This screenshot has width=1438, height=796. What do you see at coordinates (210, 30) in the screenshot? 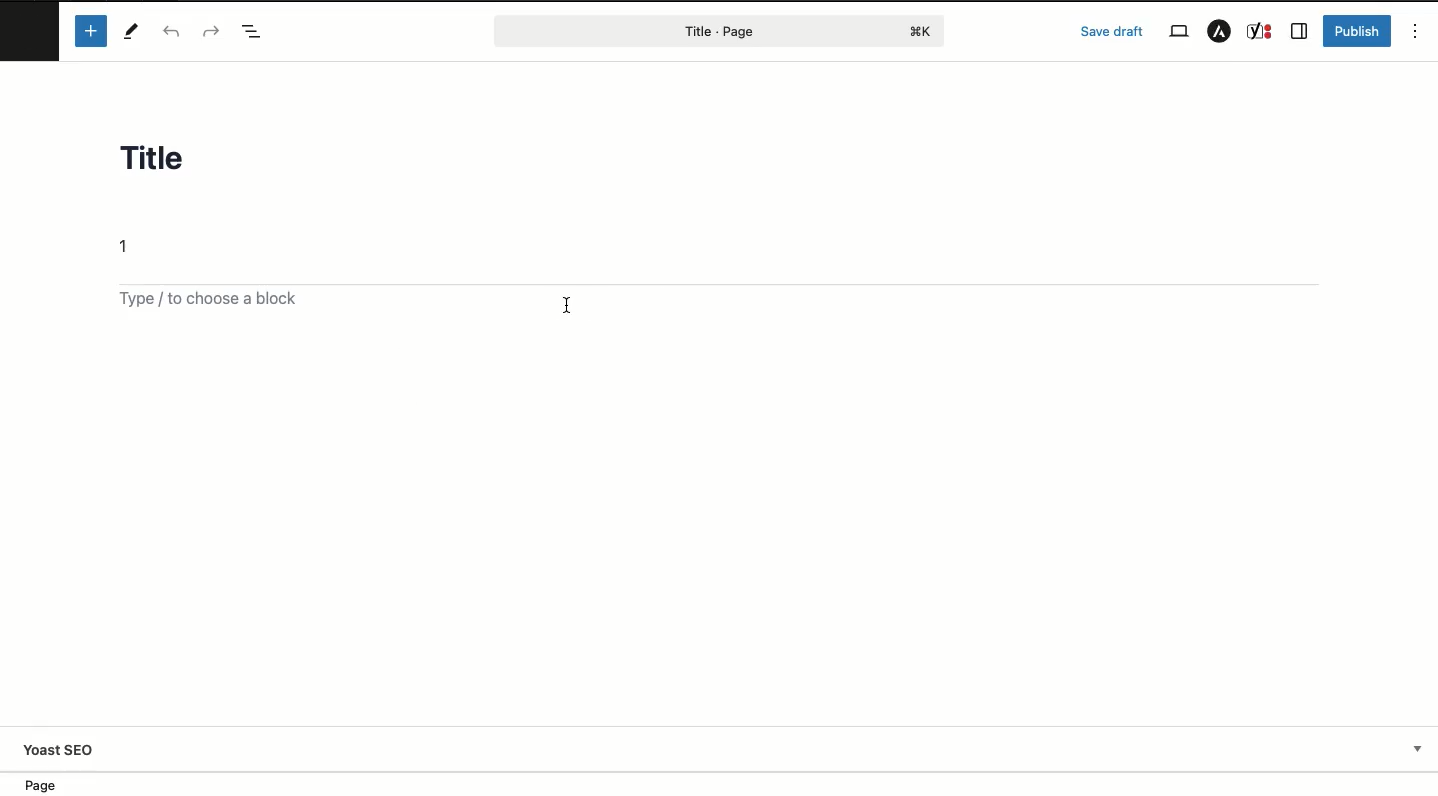
I see `Redo` at bounding box center [210, 30].